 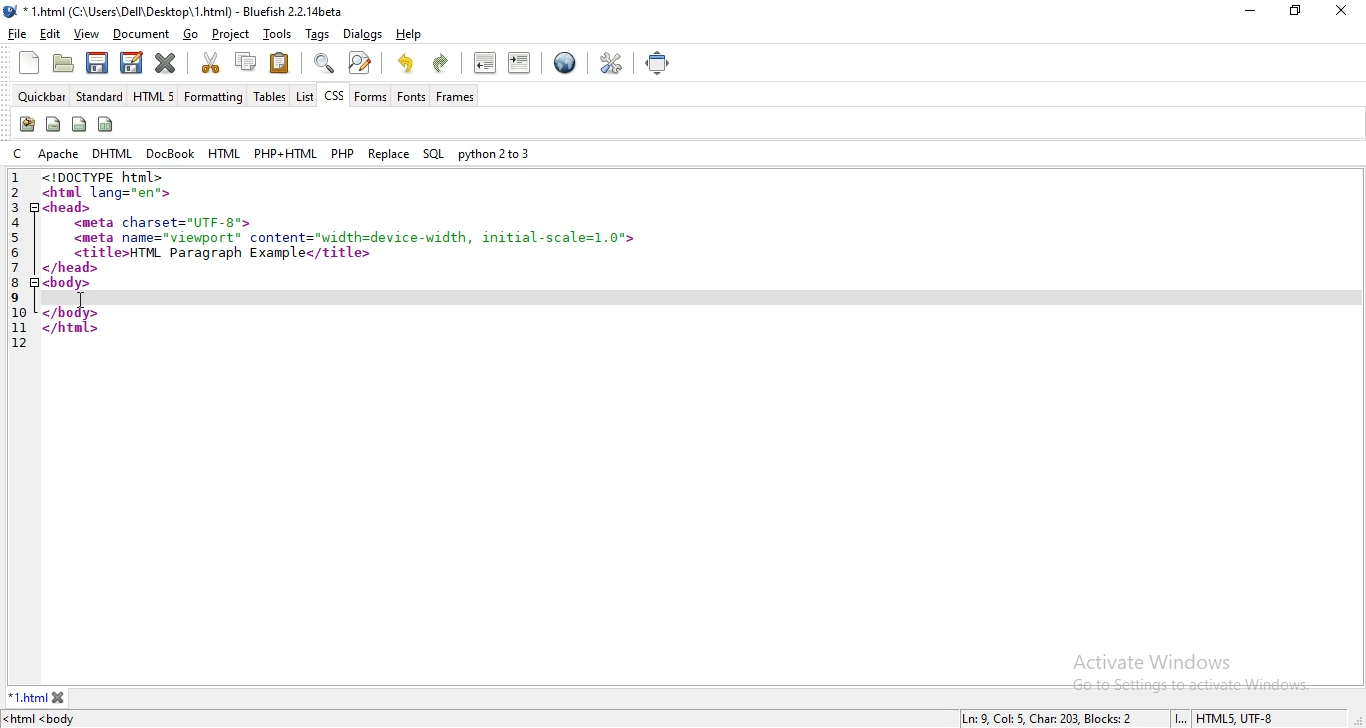 I want to click on create stylesheet, so click(x=26, y=125).